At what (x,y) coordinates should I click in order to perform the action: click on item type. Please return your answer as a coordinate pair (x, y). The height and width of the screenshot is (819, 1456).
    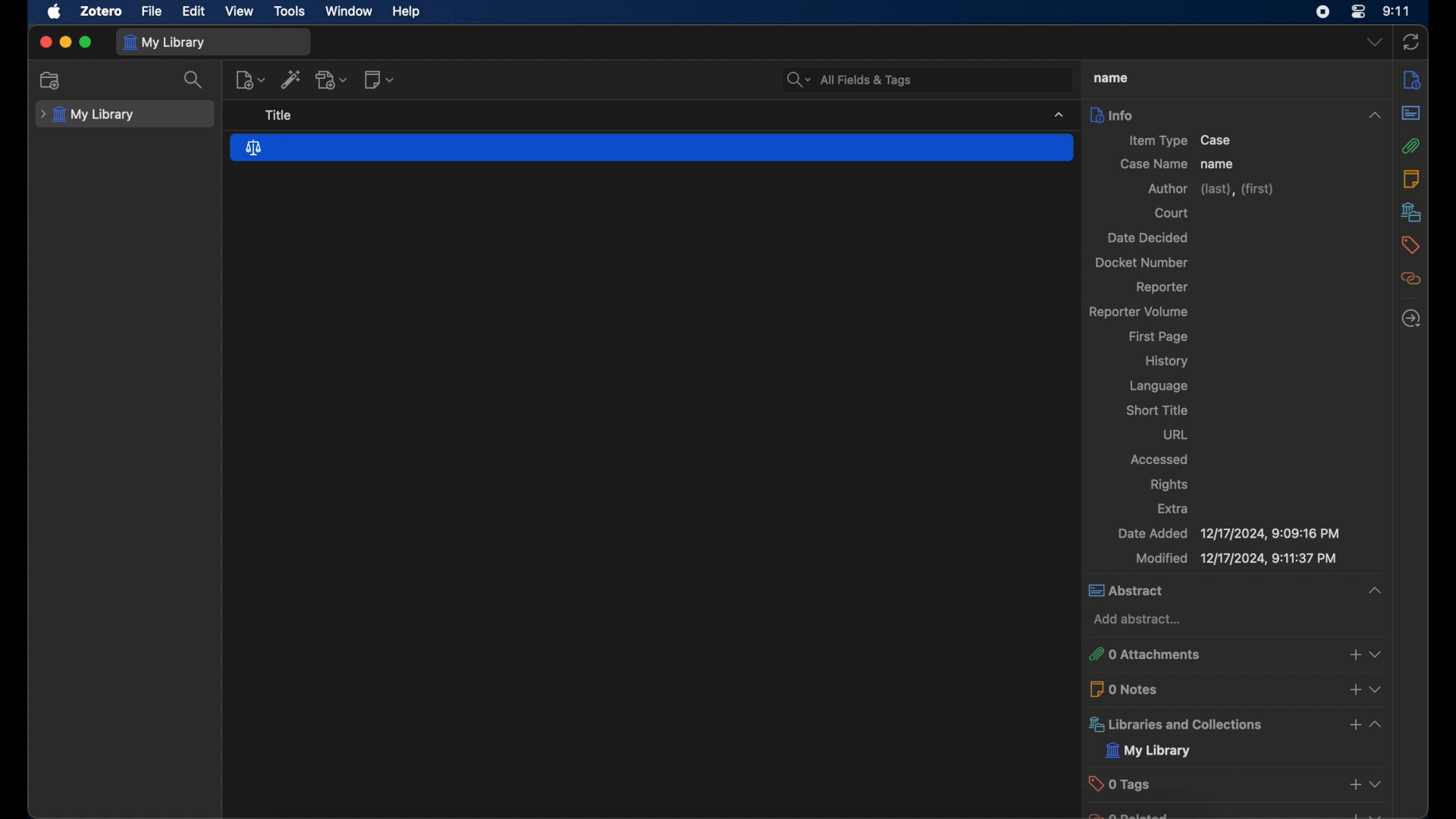
    Looking at the image, I should click on (1178, 140).